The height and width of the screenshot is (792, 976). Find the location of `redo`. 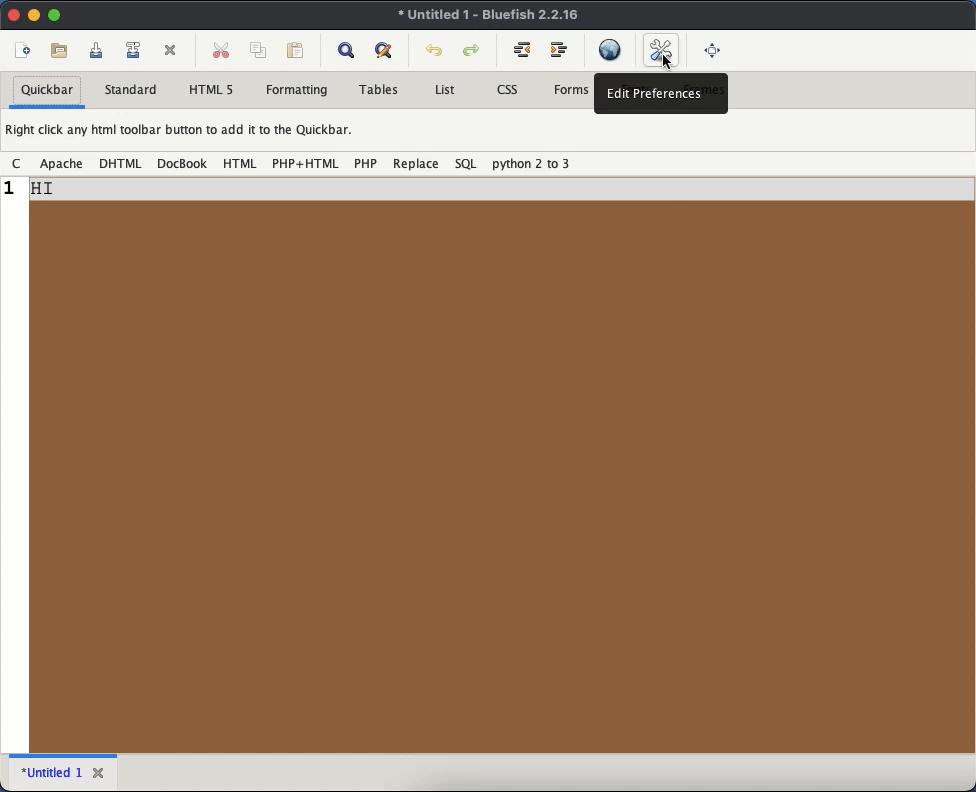

redo is located at coordinates (472, 50).